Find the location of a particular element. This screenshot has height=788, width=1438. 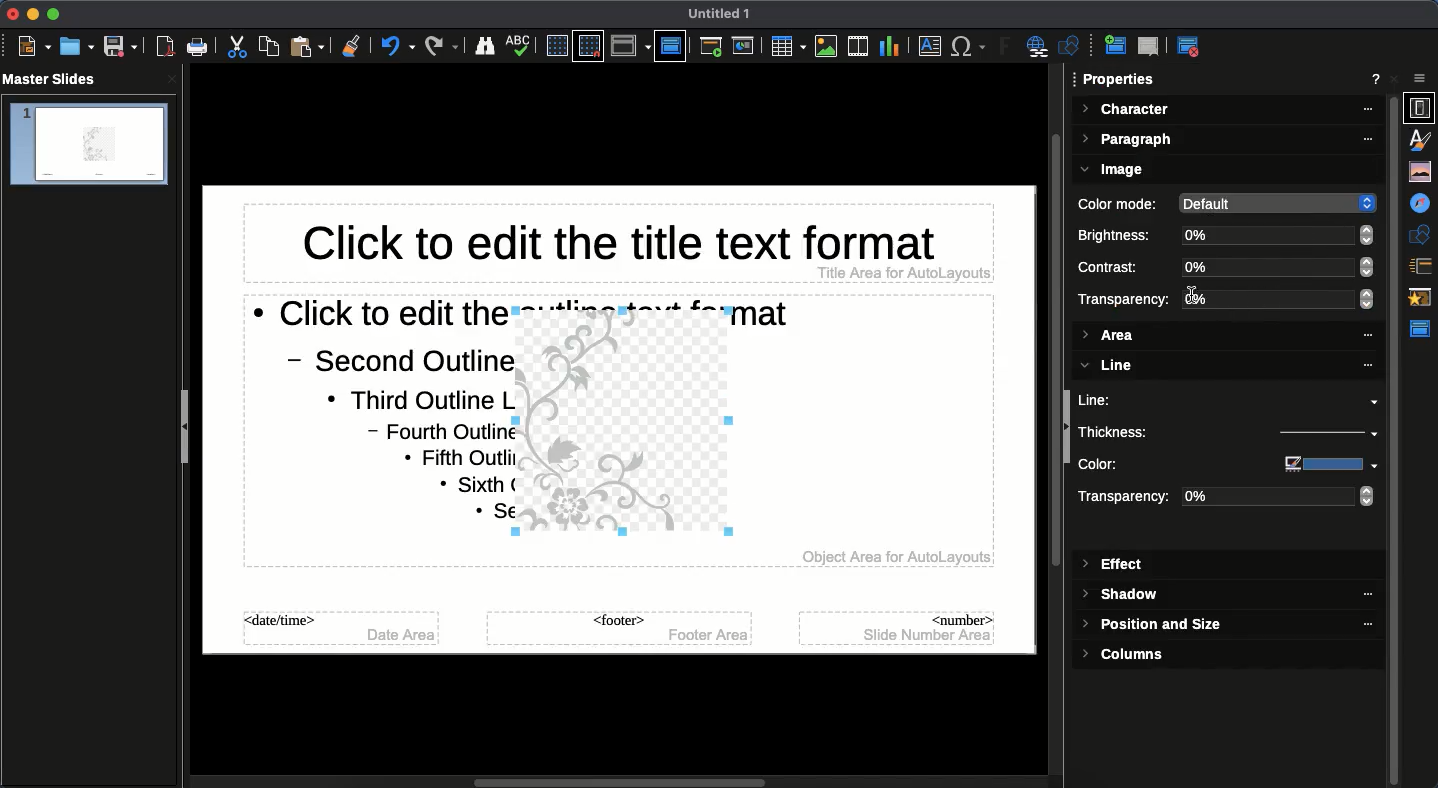

Character is located at coordinates (1228, 110).